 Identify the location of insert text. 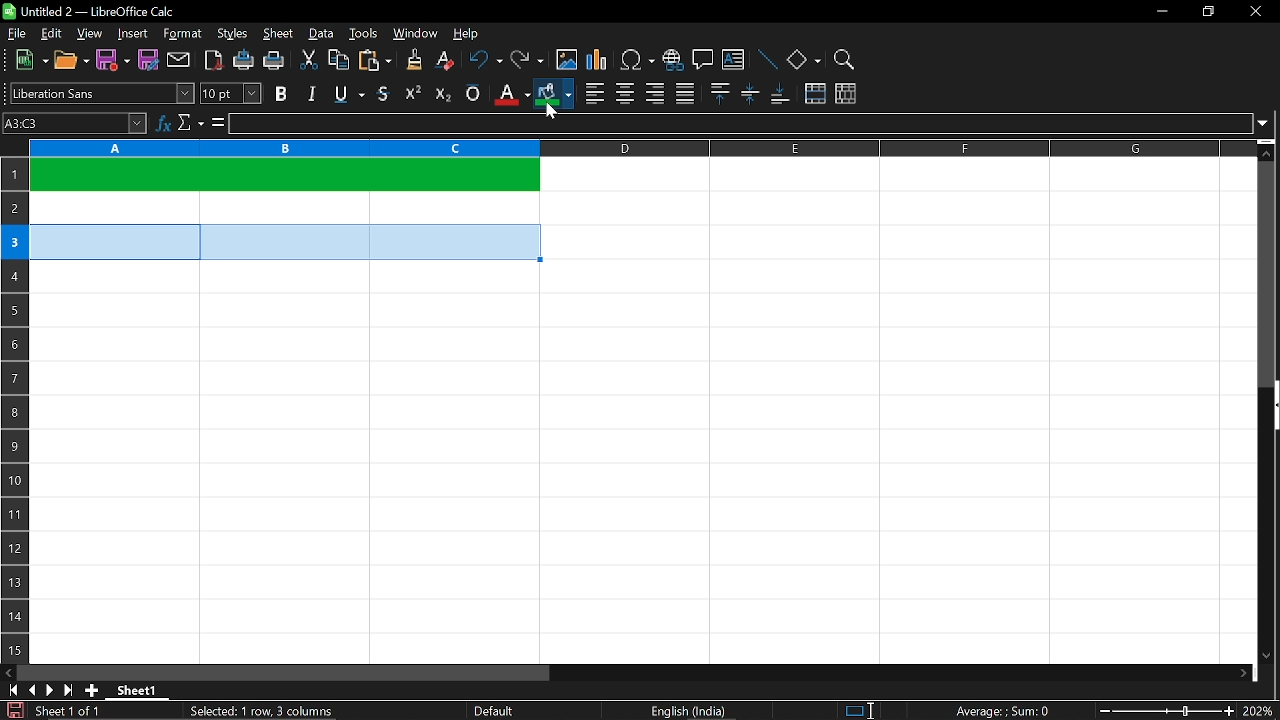
(734, 59).